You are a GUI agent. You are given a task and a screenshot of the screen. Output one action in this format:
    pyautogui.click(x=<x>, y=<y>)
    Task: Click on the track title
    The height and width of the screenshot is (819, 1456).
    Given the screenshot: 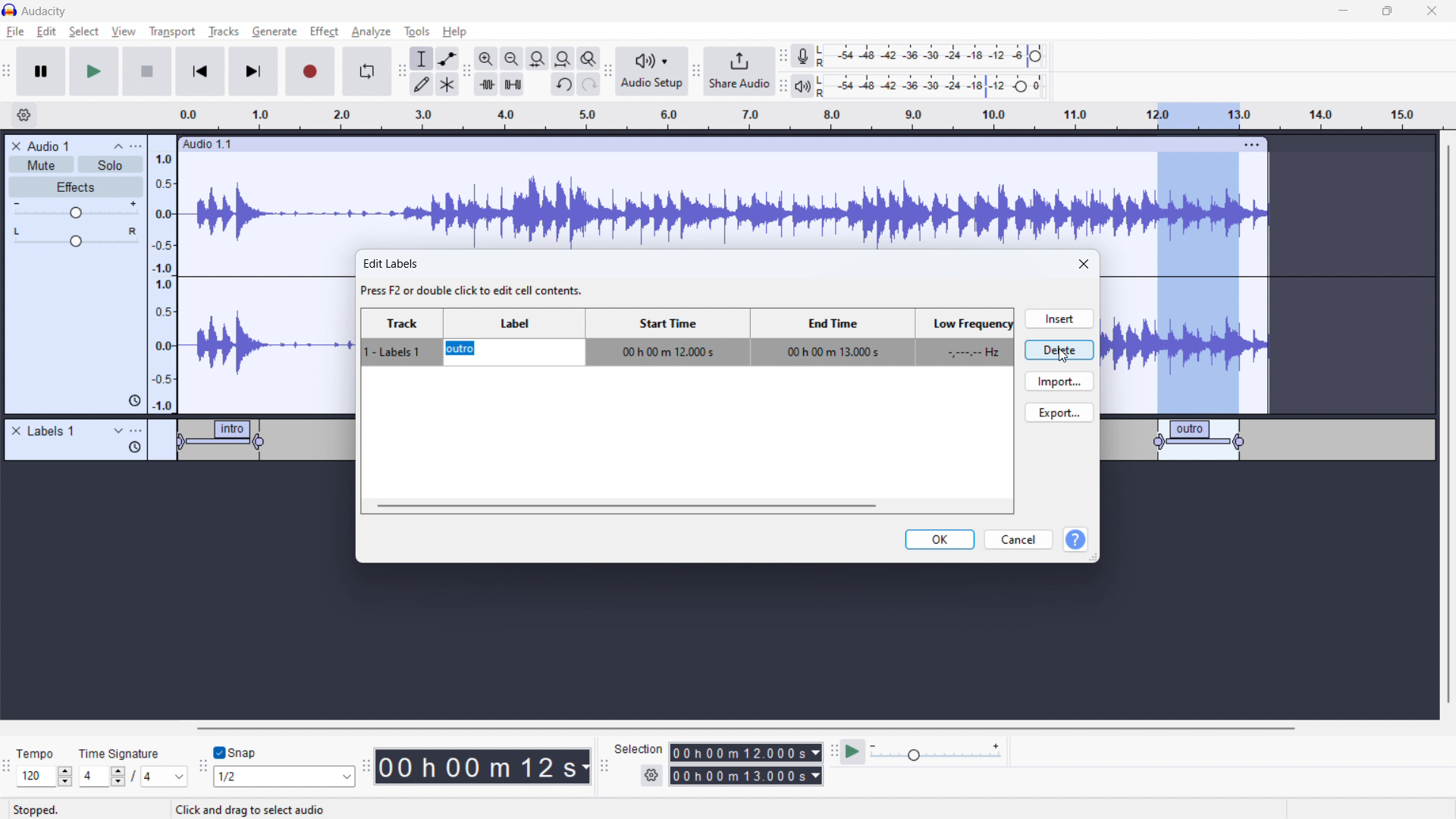 What is the action you would take?
    pyautogui.click(x=50, y=146)
    